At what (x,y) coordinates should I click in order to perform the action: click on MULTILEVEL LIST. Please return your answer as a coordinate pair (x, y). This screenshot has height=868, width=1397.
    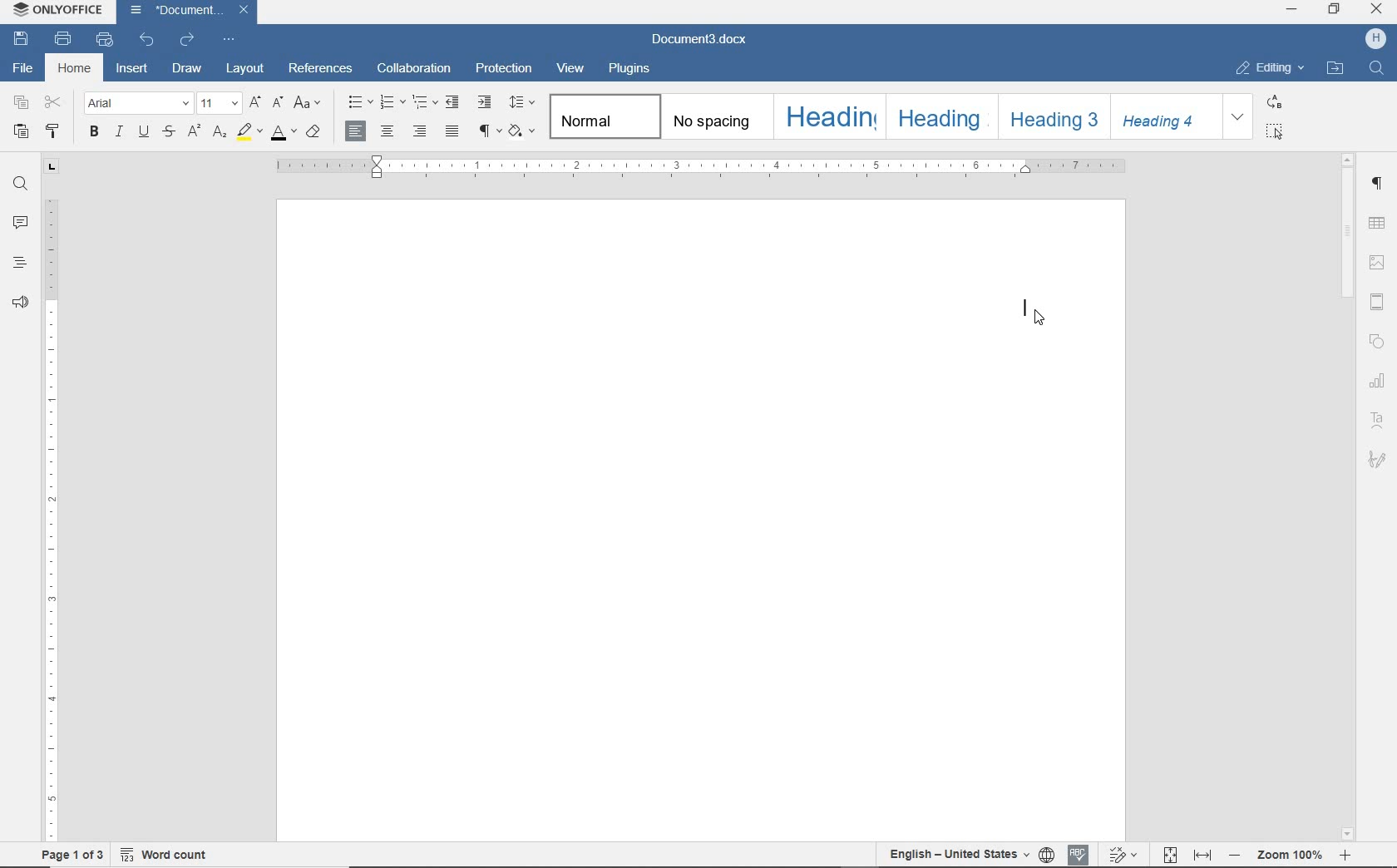
    Looking at the image, I should click on (422, 104).